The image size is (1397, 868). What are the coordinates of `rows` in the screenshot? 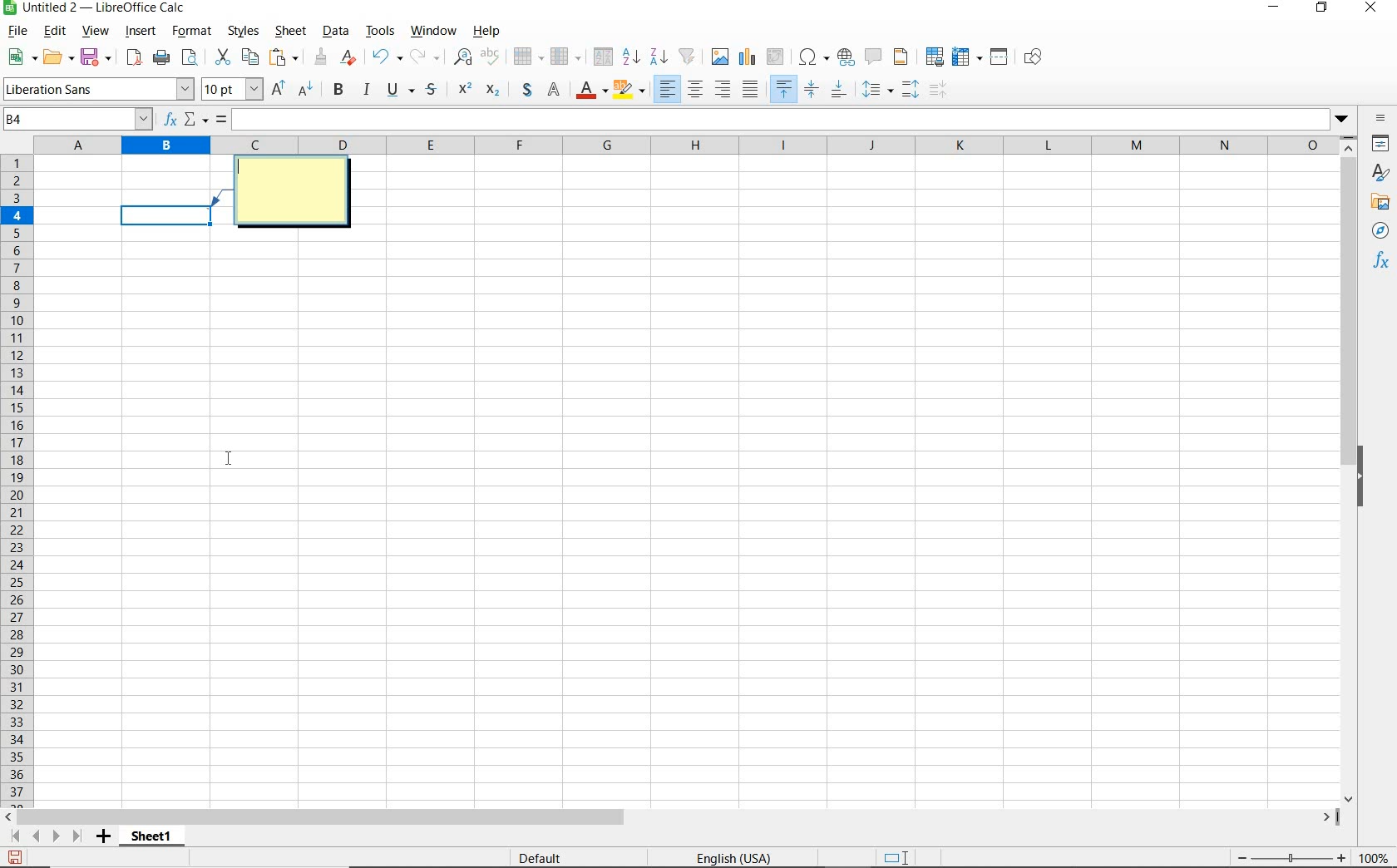 It's located at (16, 480).